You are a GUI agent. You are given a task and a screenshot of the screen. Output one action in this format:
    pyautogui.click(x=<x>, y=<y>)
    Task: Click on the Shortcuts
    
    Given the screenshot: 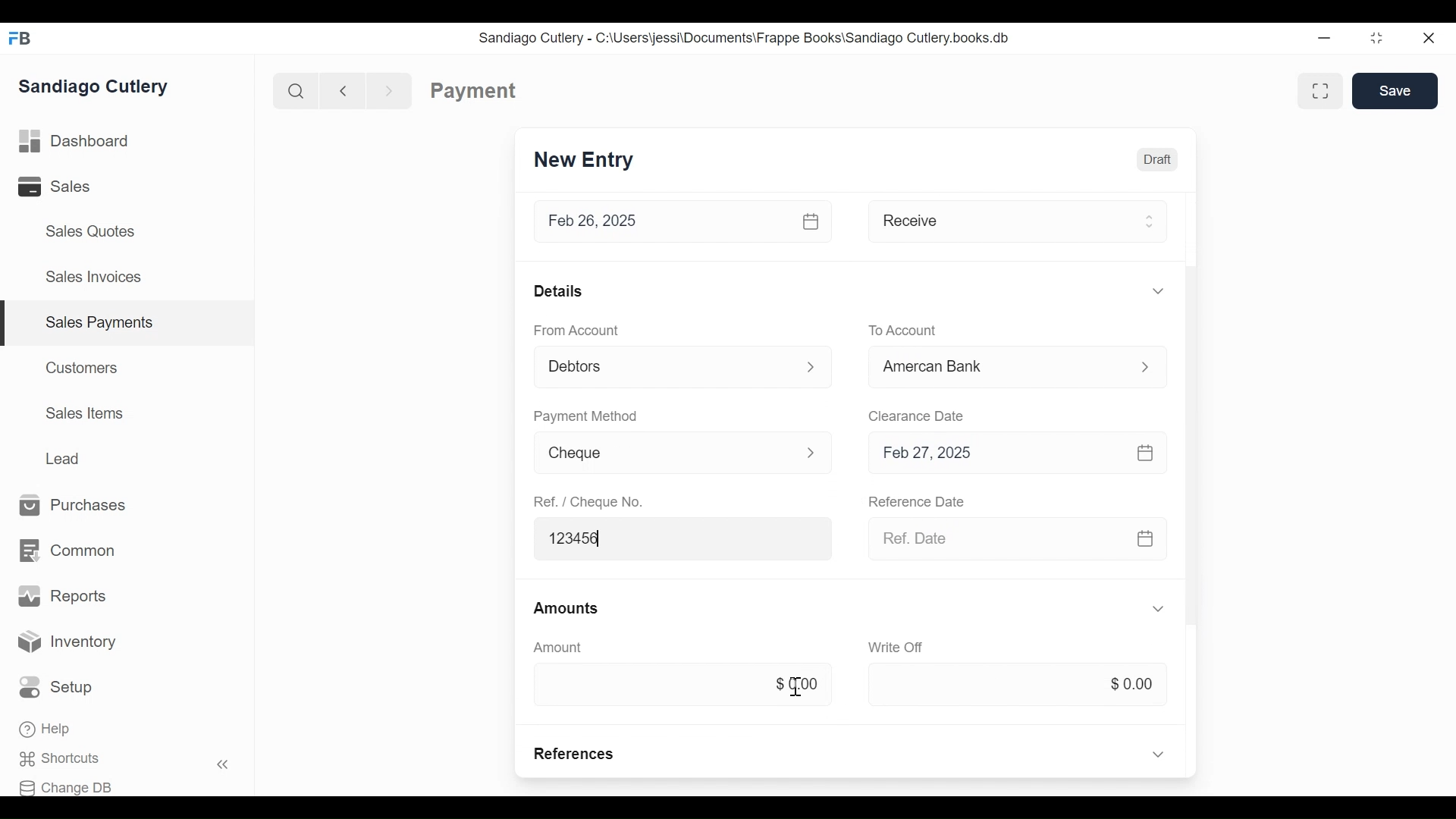 What is the action you would take?
    pyautogui.click(x=69, y=759)
    